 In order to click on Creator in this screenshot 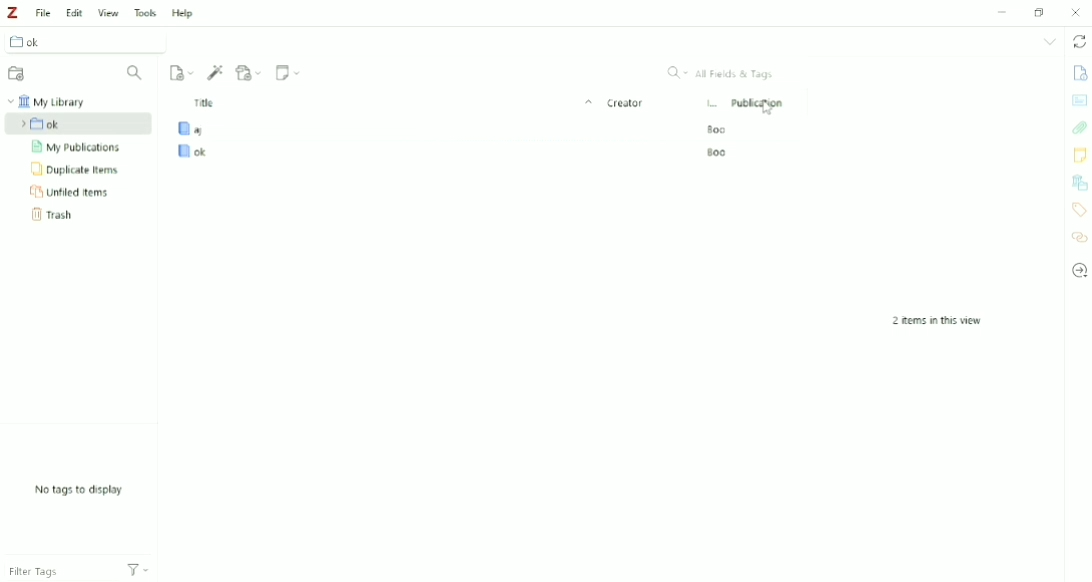, I will do `click(625, 103)`.